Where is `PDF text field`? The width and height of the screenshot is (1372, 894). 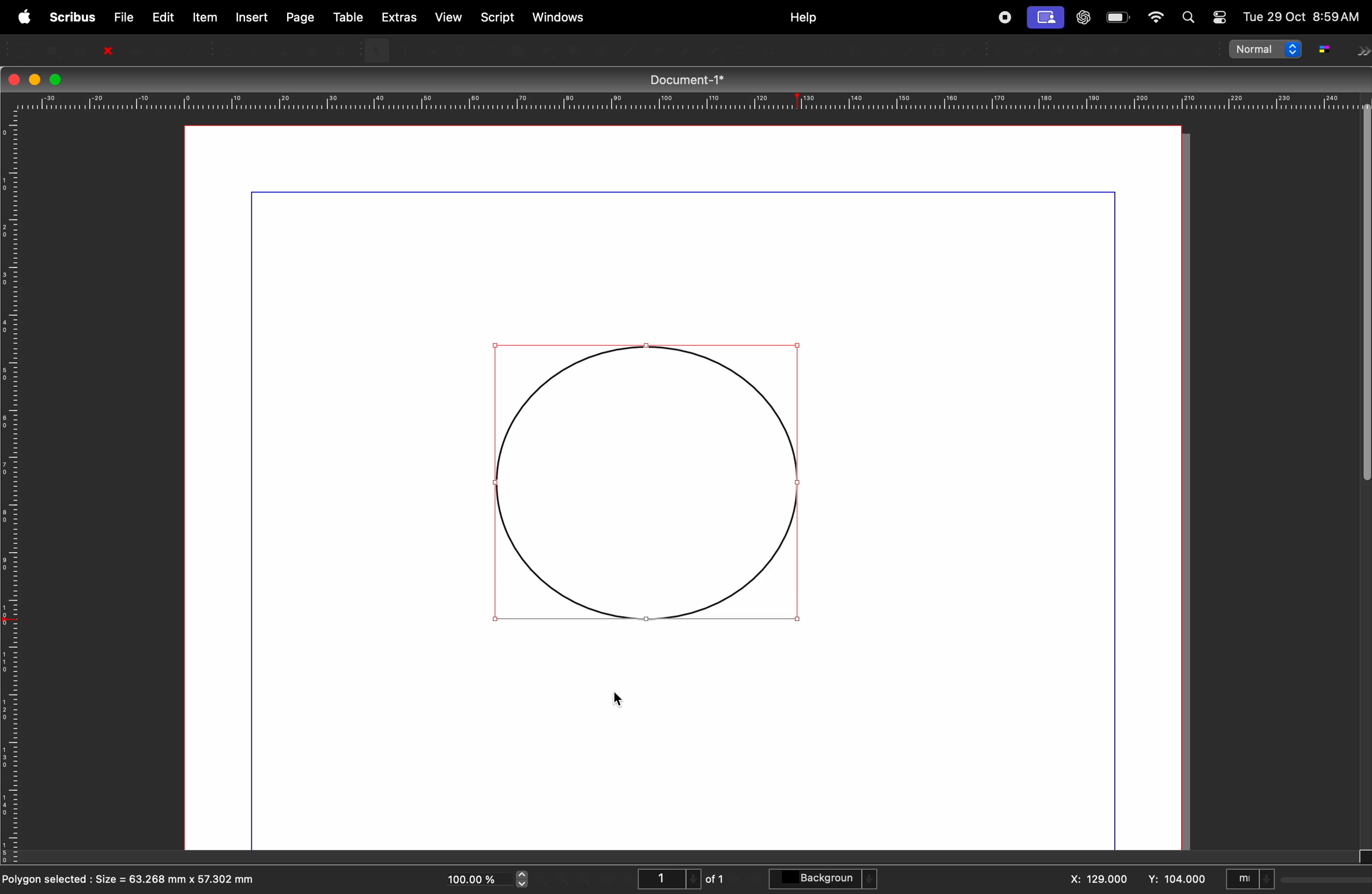
PDF text field is located at coordinates (1089, 50).